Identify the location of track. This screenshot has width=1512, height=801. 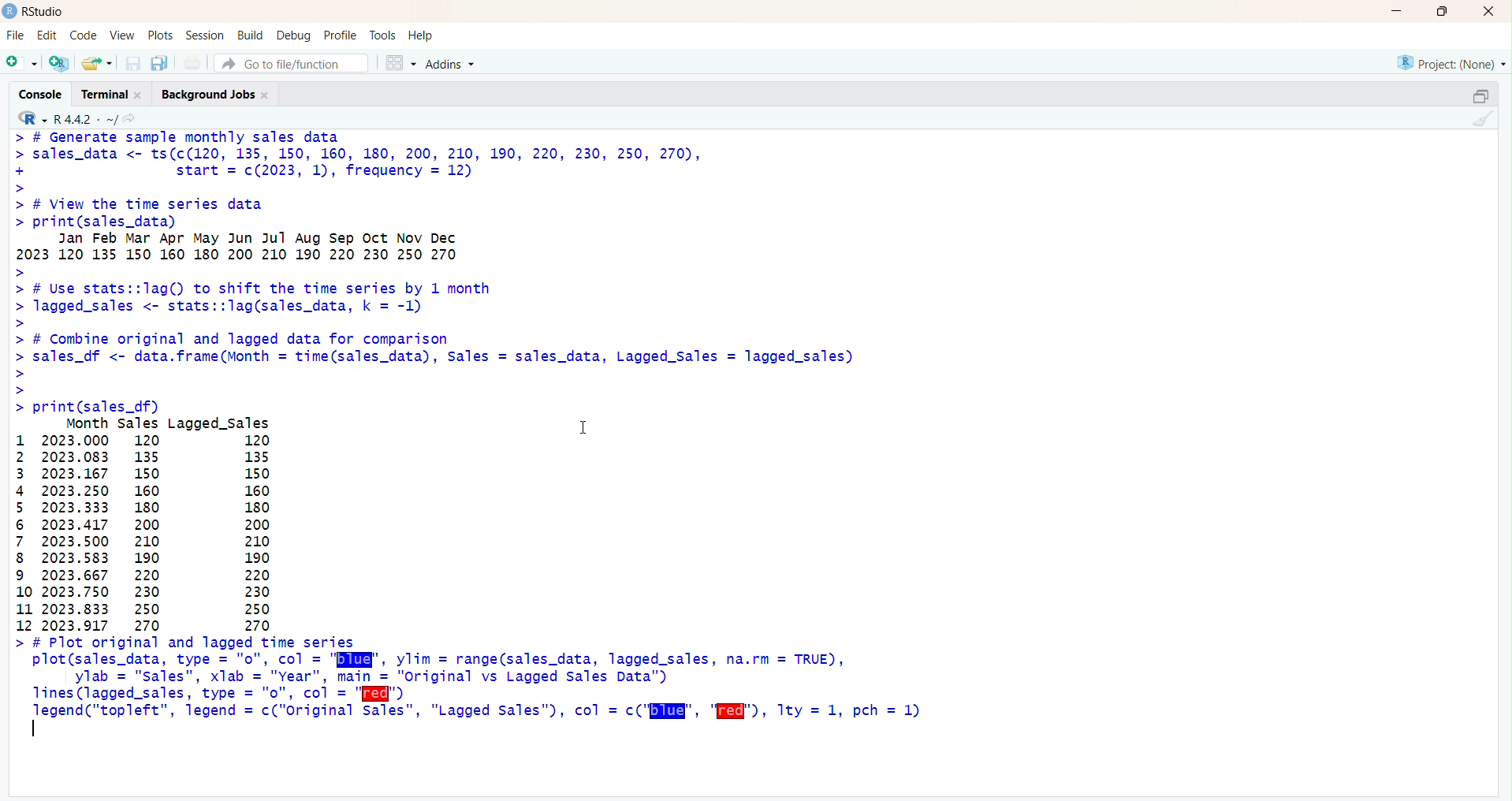
(384, 34).